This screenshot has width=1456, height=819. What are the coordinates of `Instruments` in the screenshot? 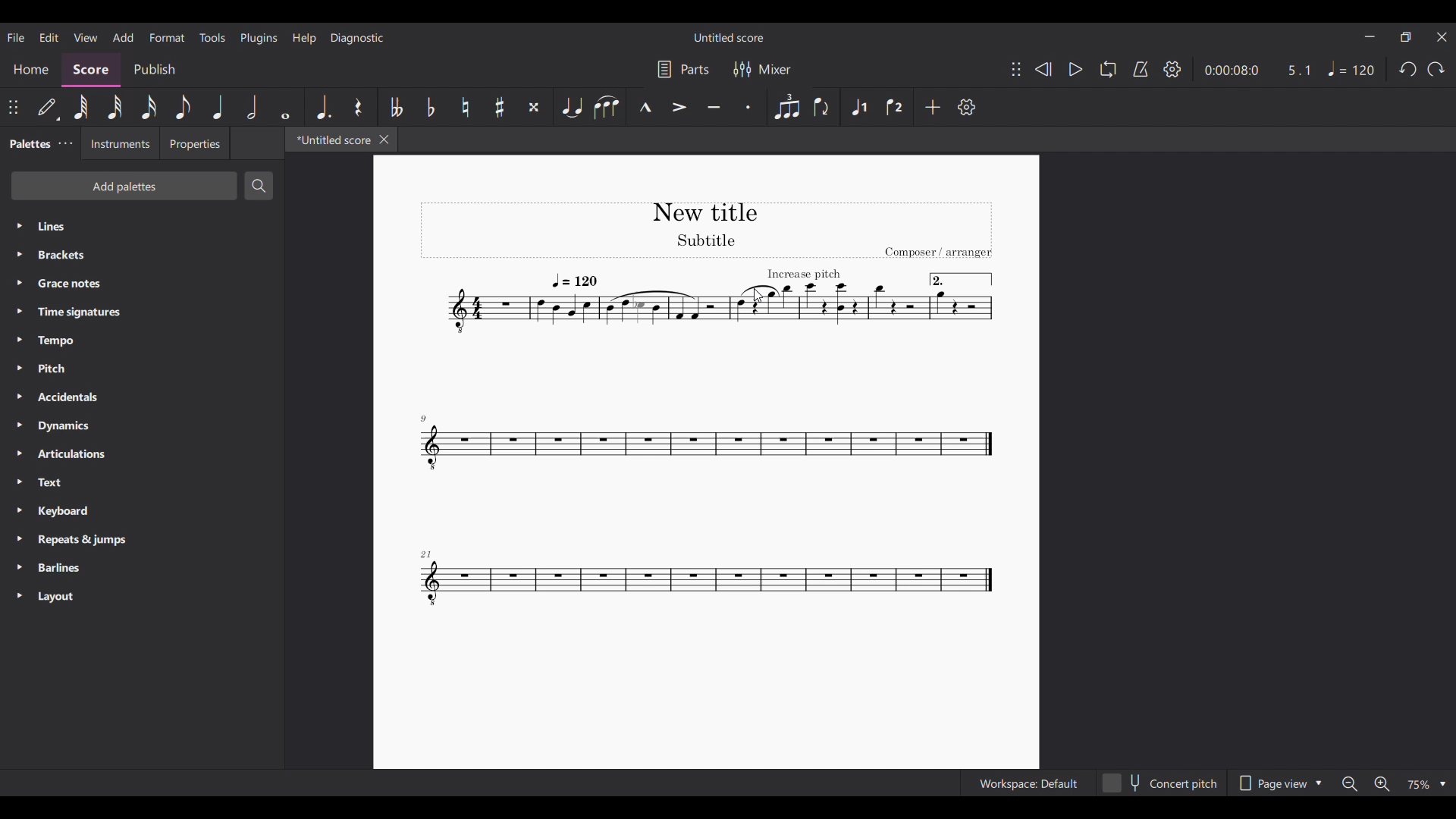 It's located at (121, 143).